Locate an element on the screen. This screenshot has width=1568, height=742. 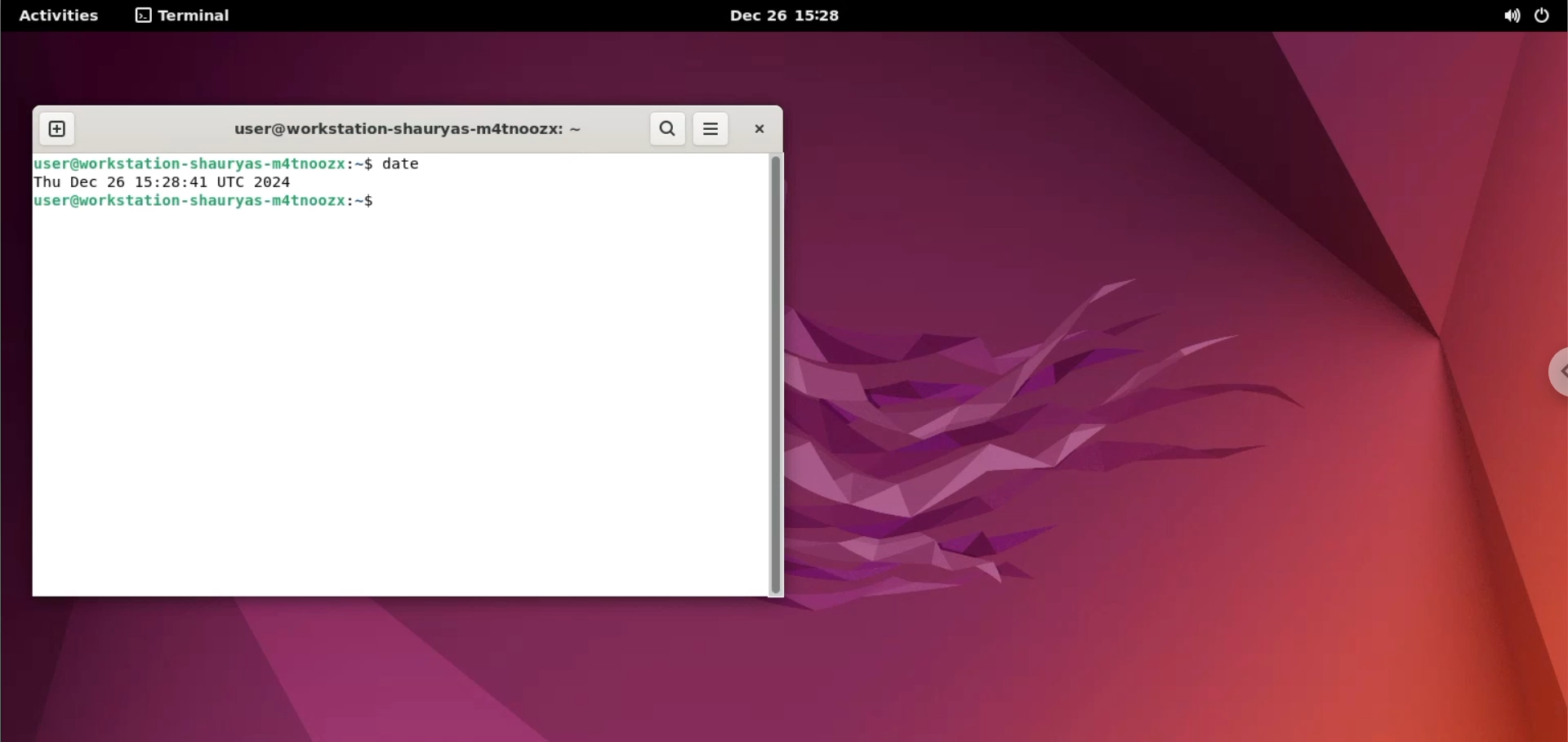
user@workstation-shauryas-m4tnoozx:~$ is located at coordinates (203, 163).